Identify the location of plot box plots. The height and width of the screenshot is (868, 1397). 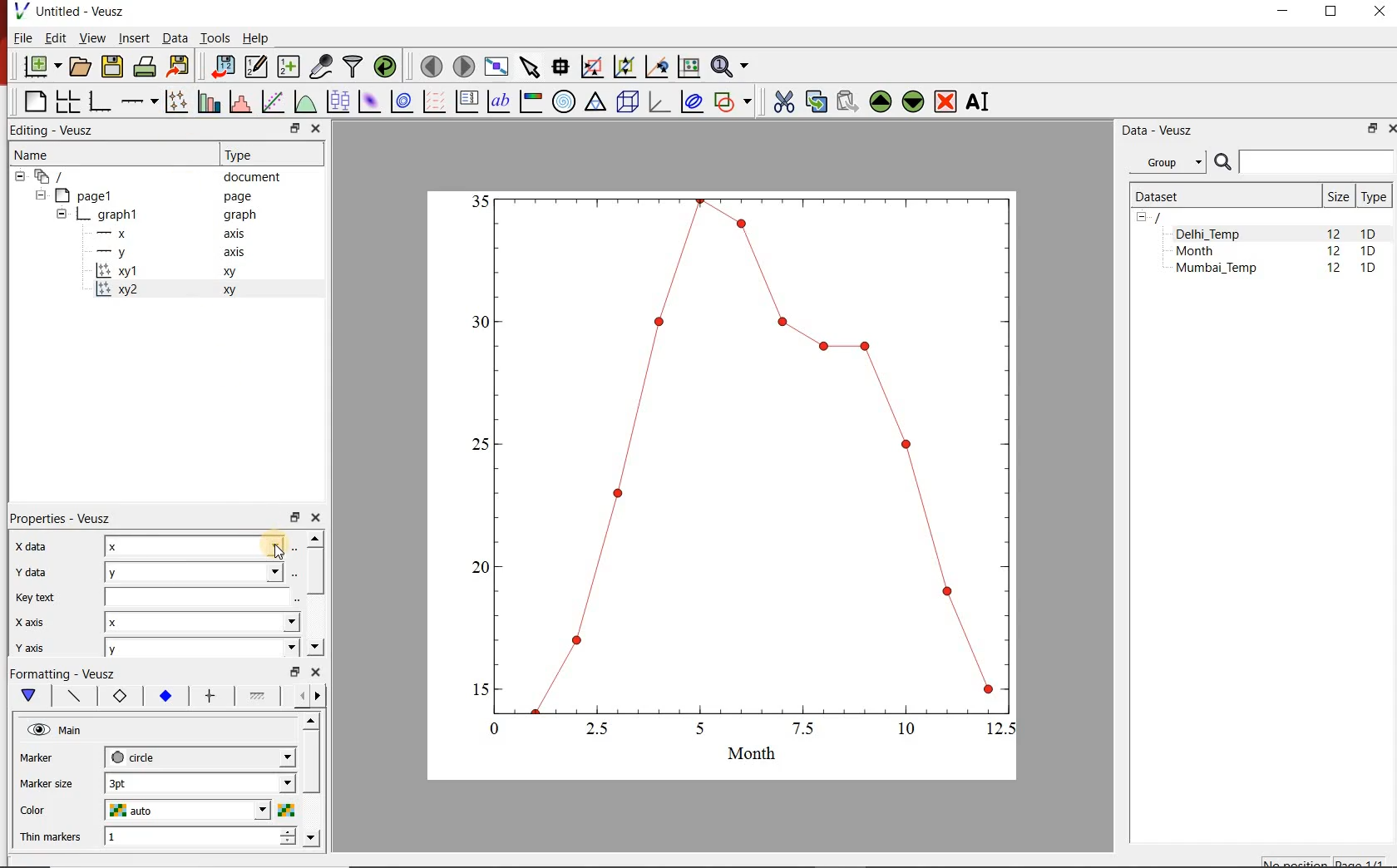
(338, 101).